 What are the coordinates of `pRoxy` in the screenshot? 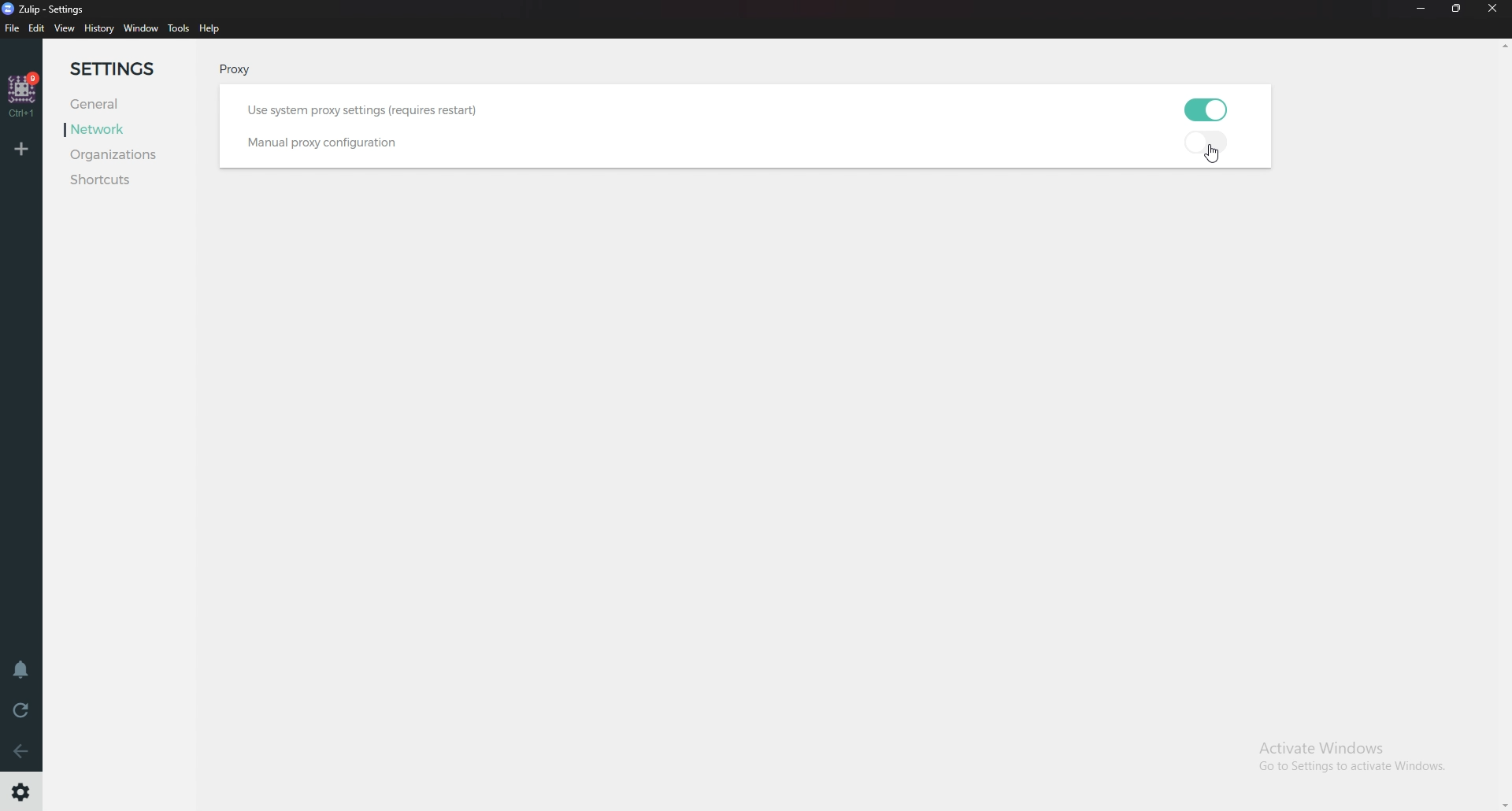 It's located at (232, 72).